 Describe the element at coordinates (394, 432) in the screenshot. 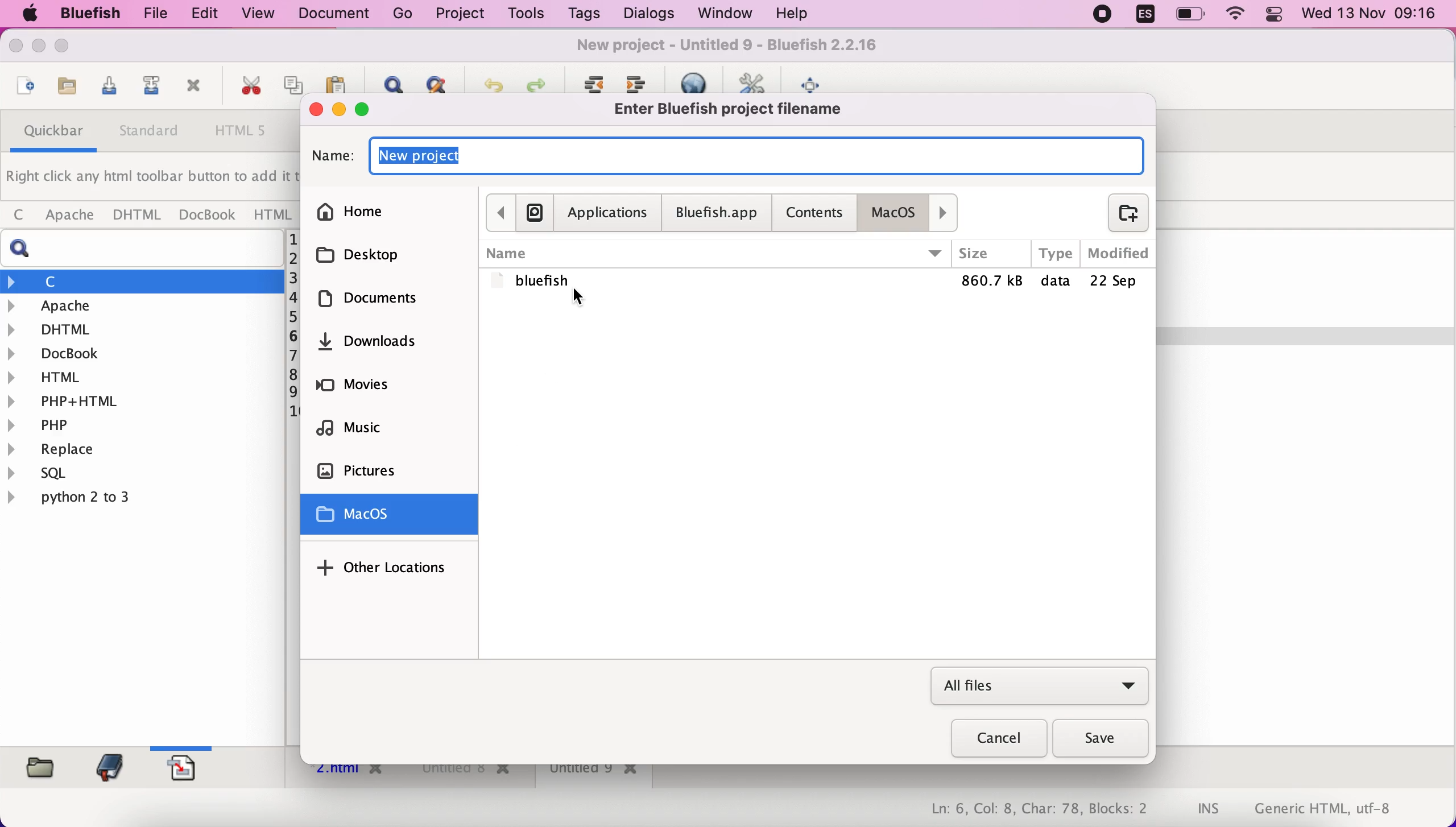

I see `music` at that location.